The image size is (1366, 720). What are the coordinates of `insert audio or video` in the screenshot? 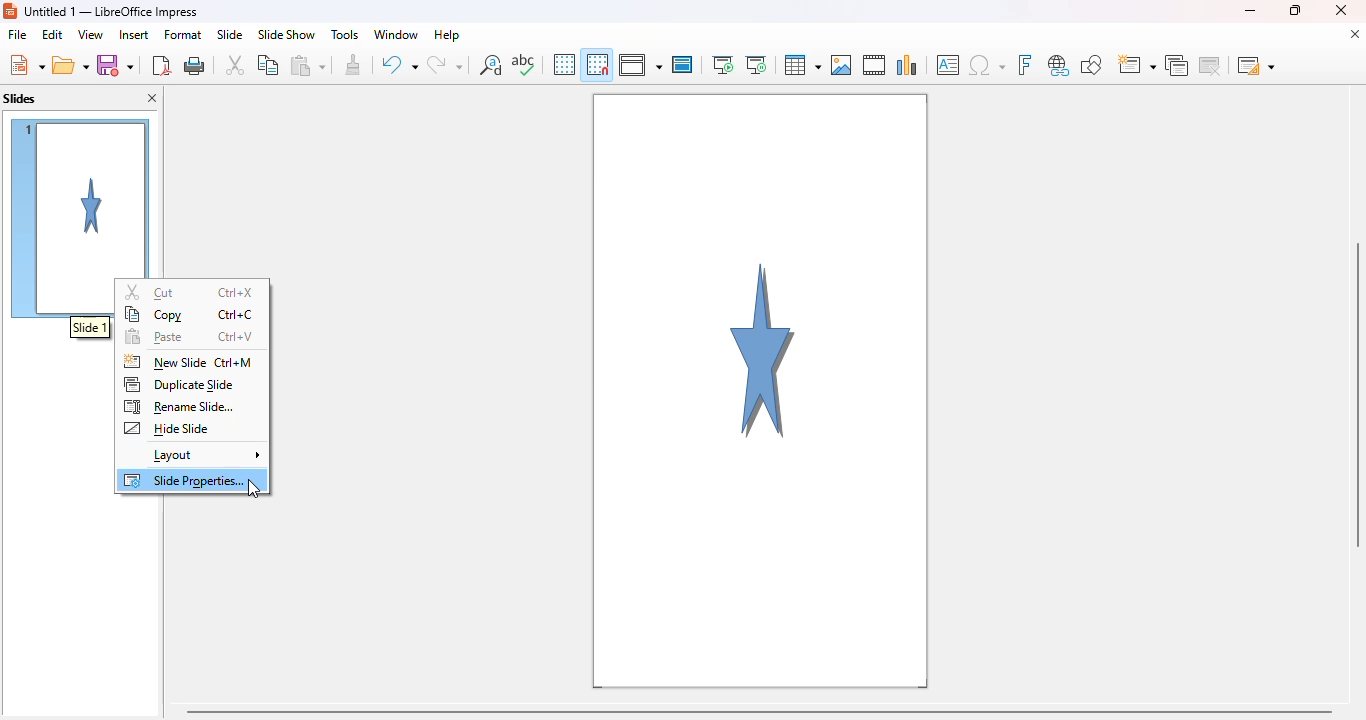 It's located at (875, 65).